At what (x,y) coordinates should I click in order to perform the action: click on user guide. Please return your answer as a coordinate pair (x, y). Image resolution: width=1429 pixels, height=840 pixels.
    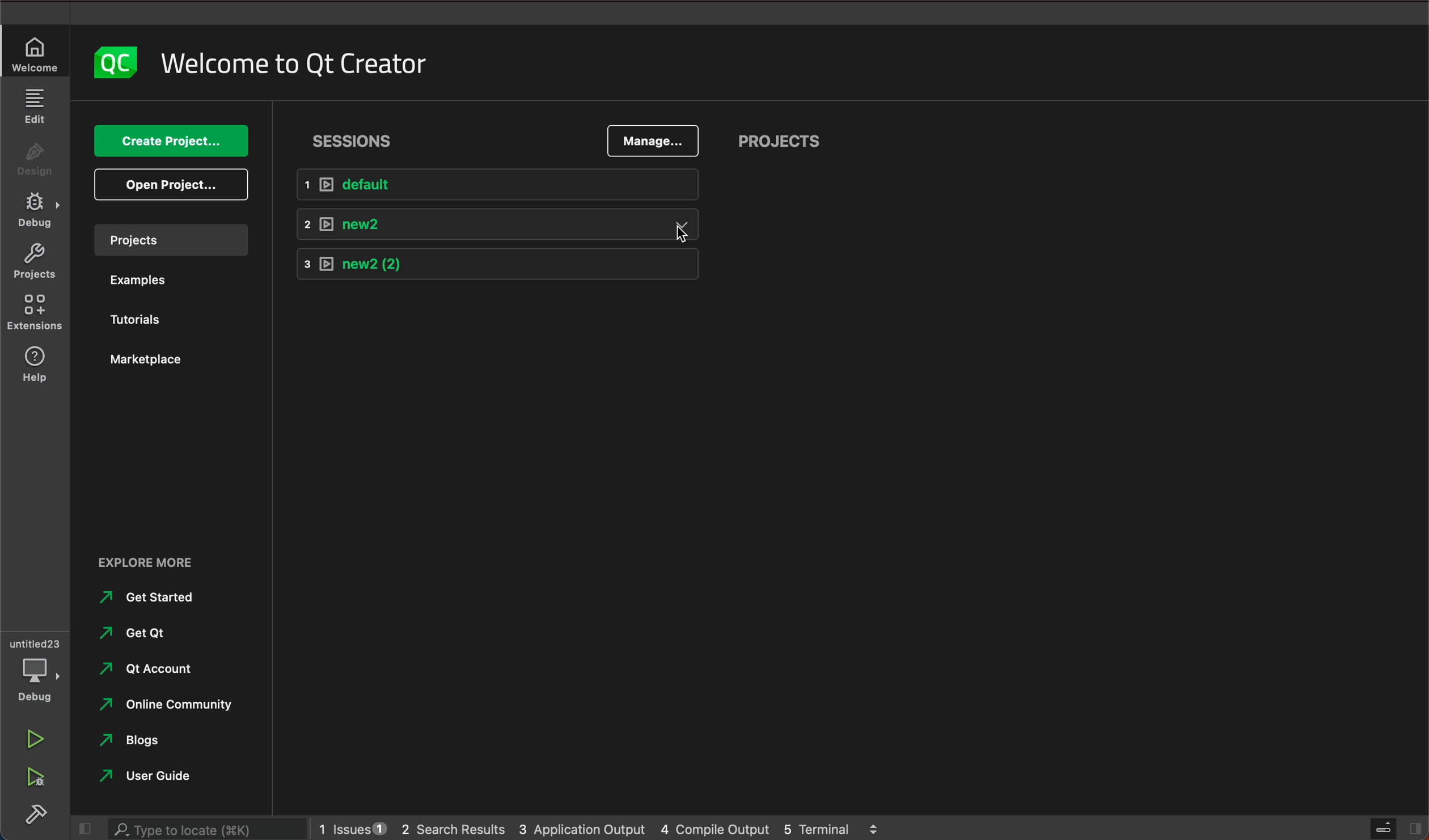
    Looking at the image, I should click on (154, 778).